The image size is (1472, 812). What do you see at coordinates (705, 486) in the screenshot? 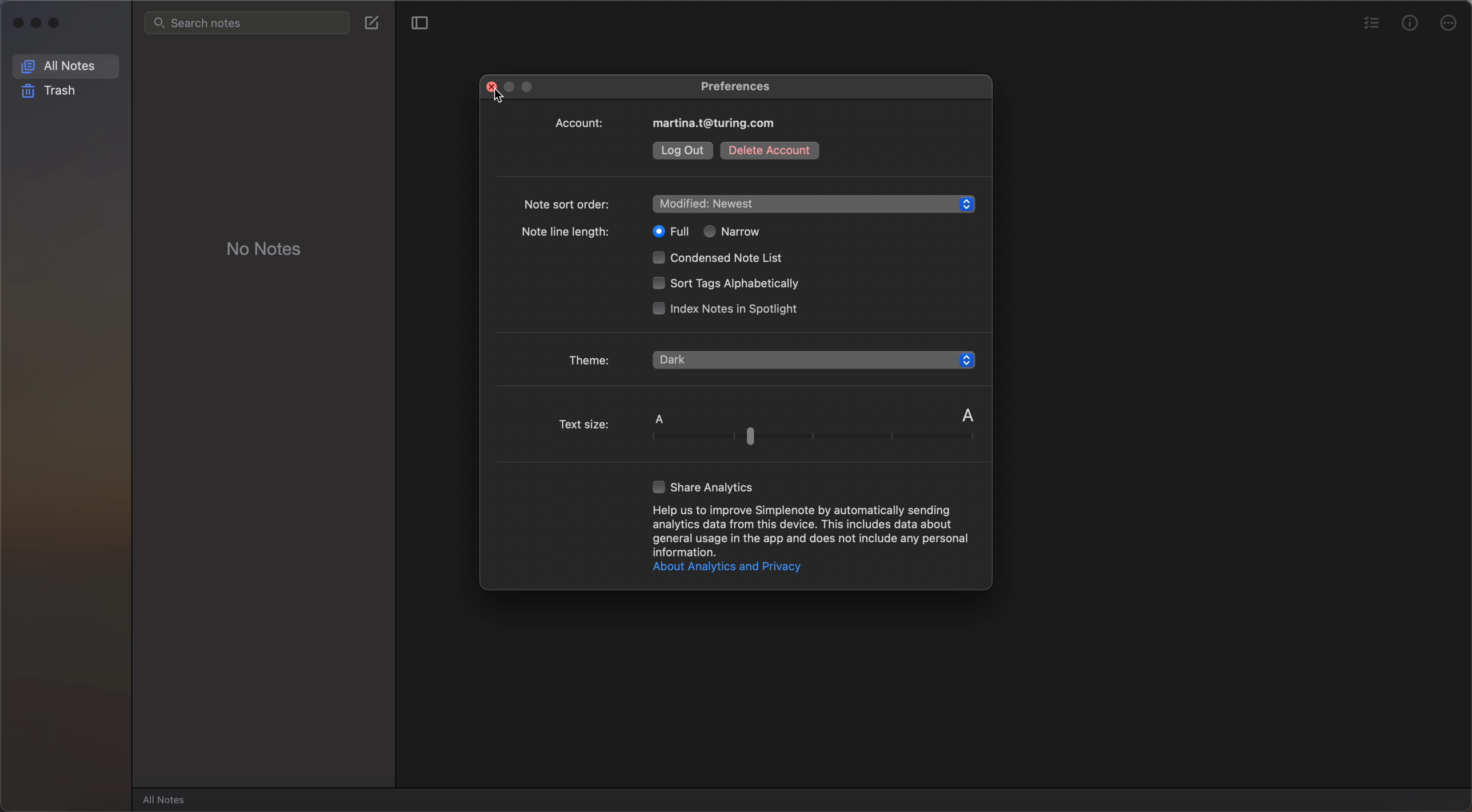
I see `share analytics` at bounding box center [705, 486].